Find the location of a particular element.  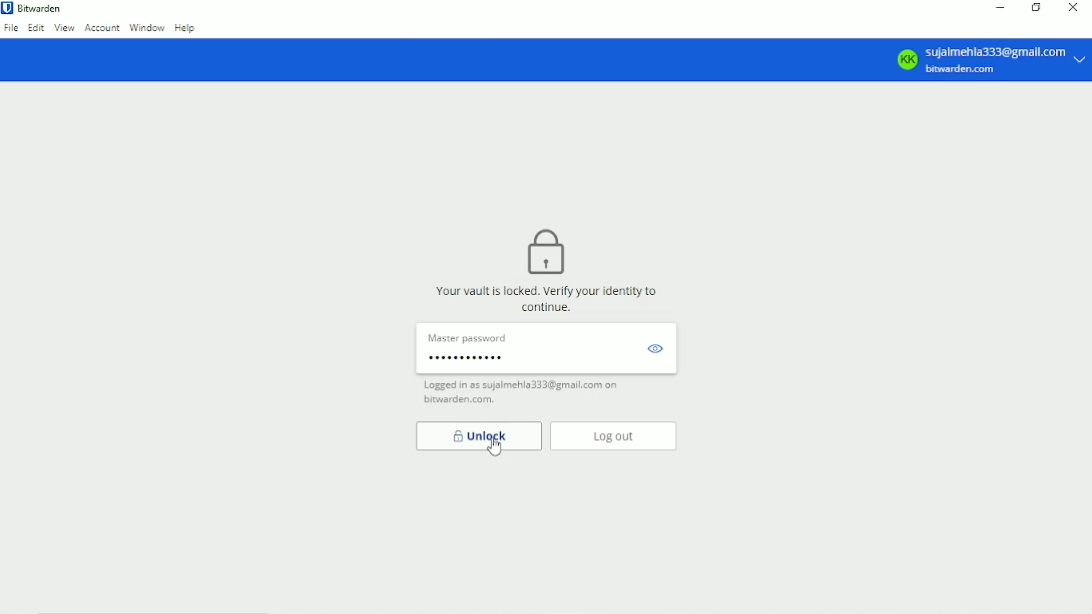

logged in as sujalmehta333@gmail.com on bitwarden.com is located at coordinates (527, 393).